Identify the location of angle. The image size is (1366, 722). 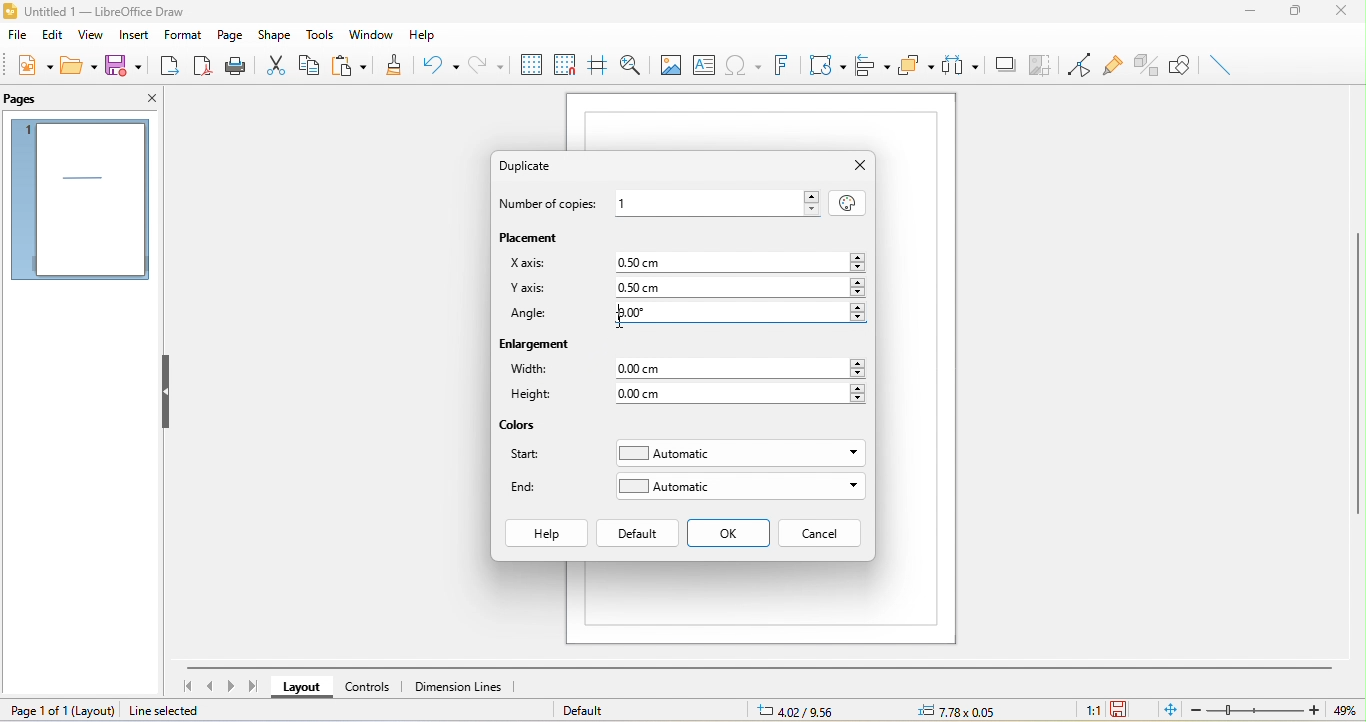
(531, 316).